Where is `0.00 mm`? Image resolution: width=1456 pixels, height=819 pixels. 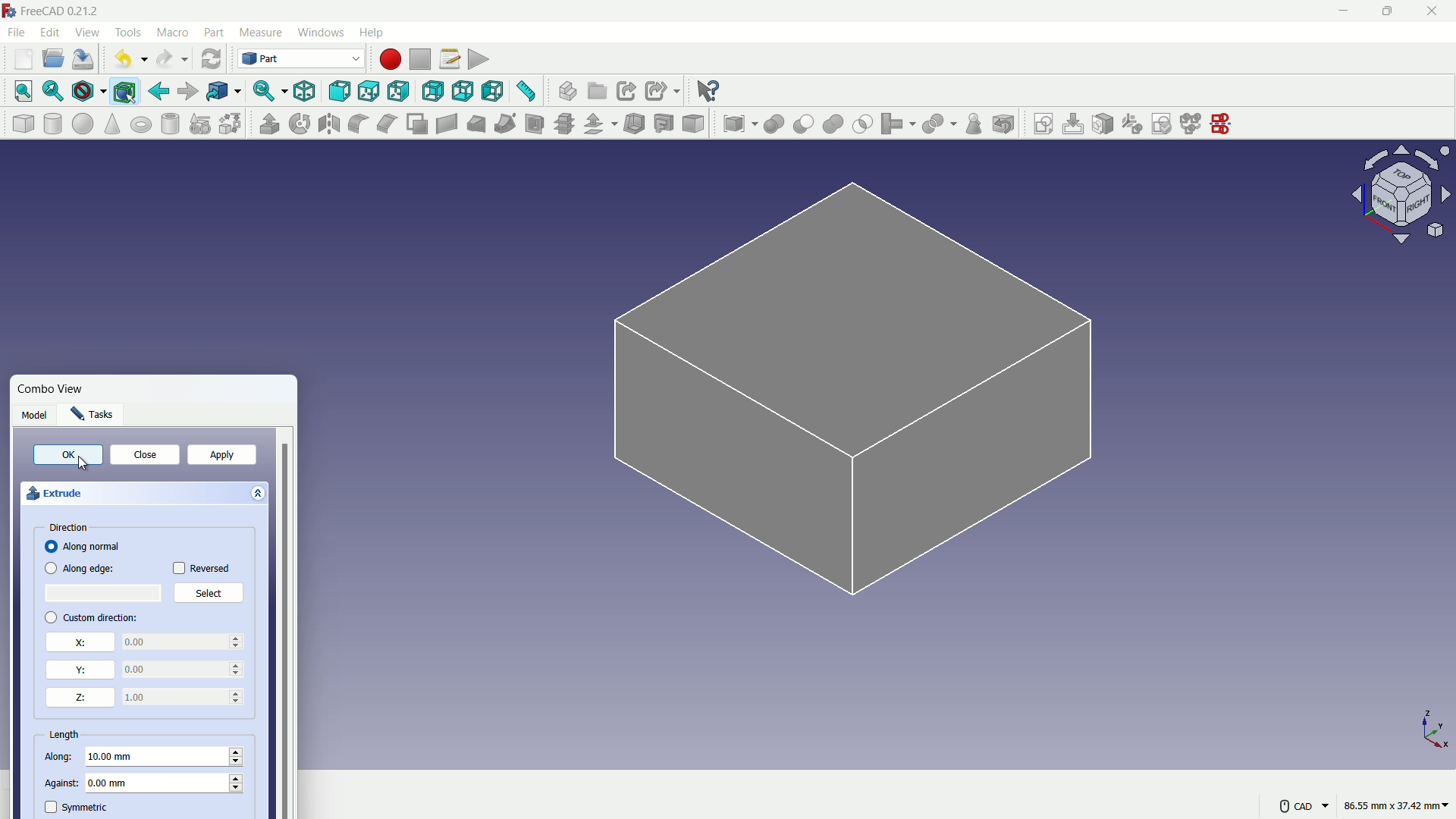 0.00 mm is located at coordinates (168, 783).